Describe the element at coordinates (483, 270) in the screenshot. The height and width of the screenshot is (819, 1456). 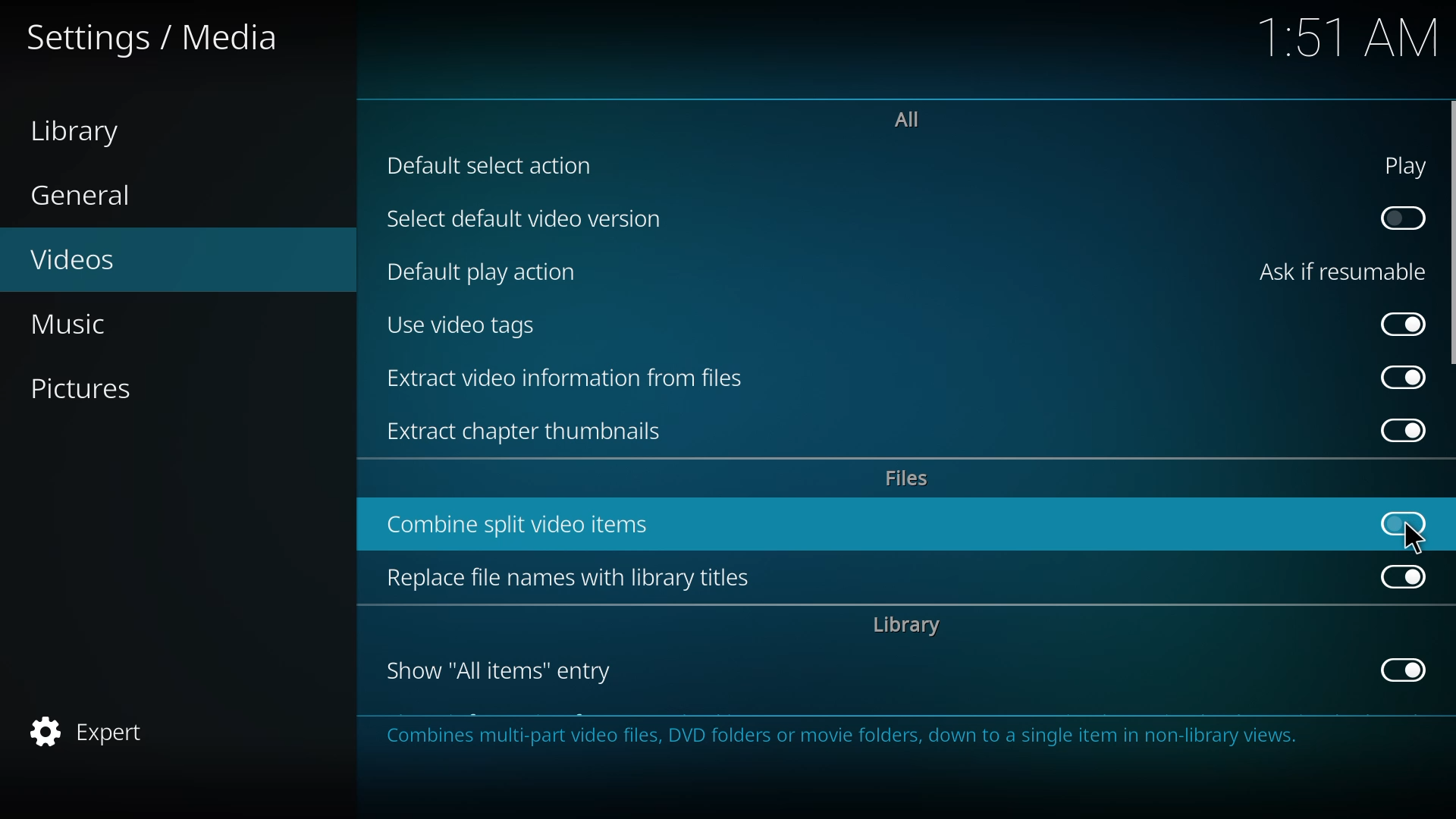
I see `default play action` at that location.